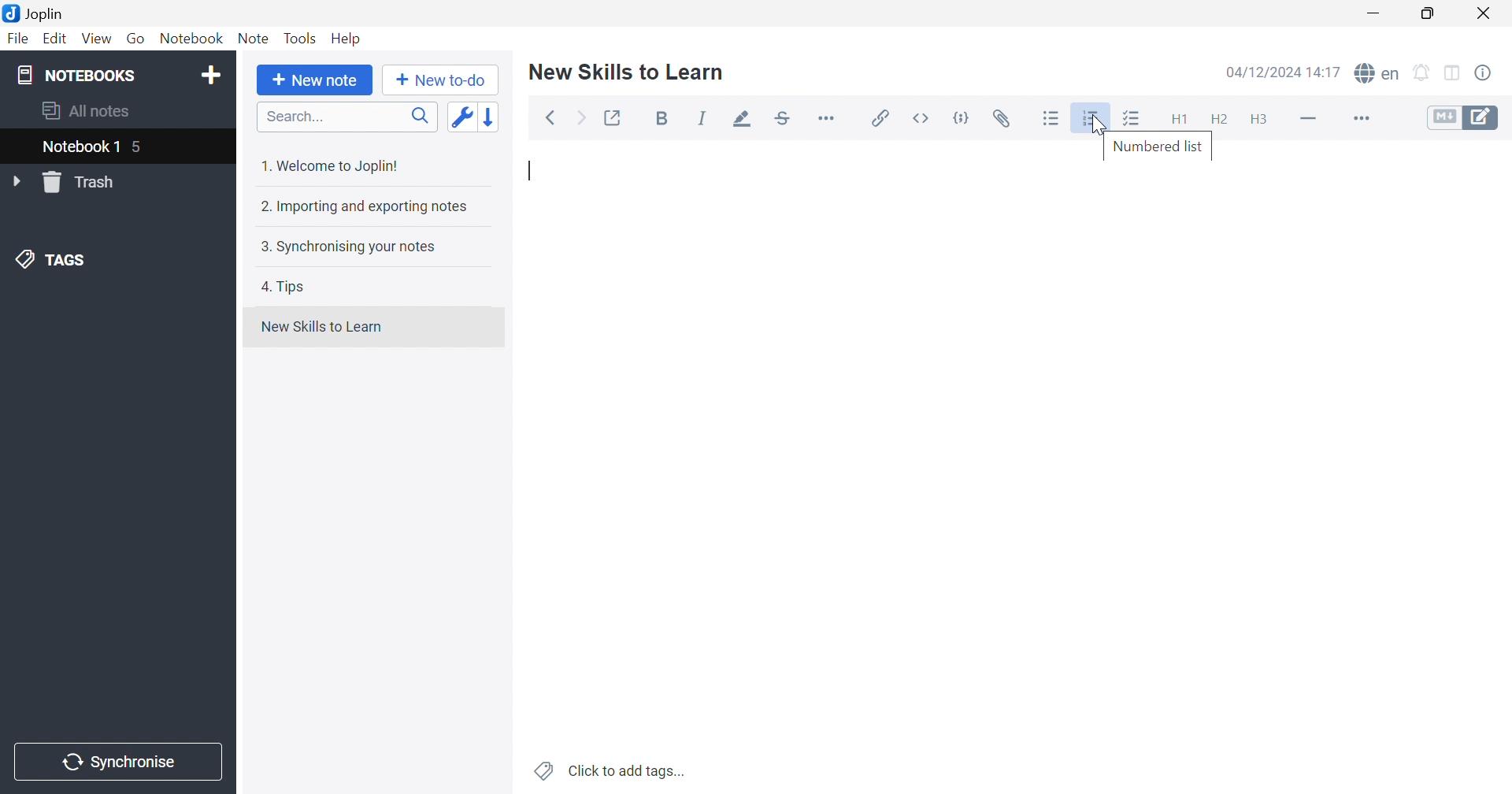 The image size is (1512, 794). What do you see at coordinates (121, 762) in the screenshot?
I see `Synchronize` at bounding box center [121, 762].